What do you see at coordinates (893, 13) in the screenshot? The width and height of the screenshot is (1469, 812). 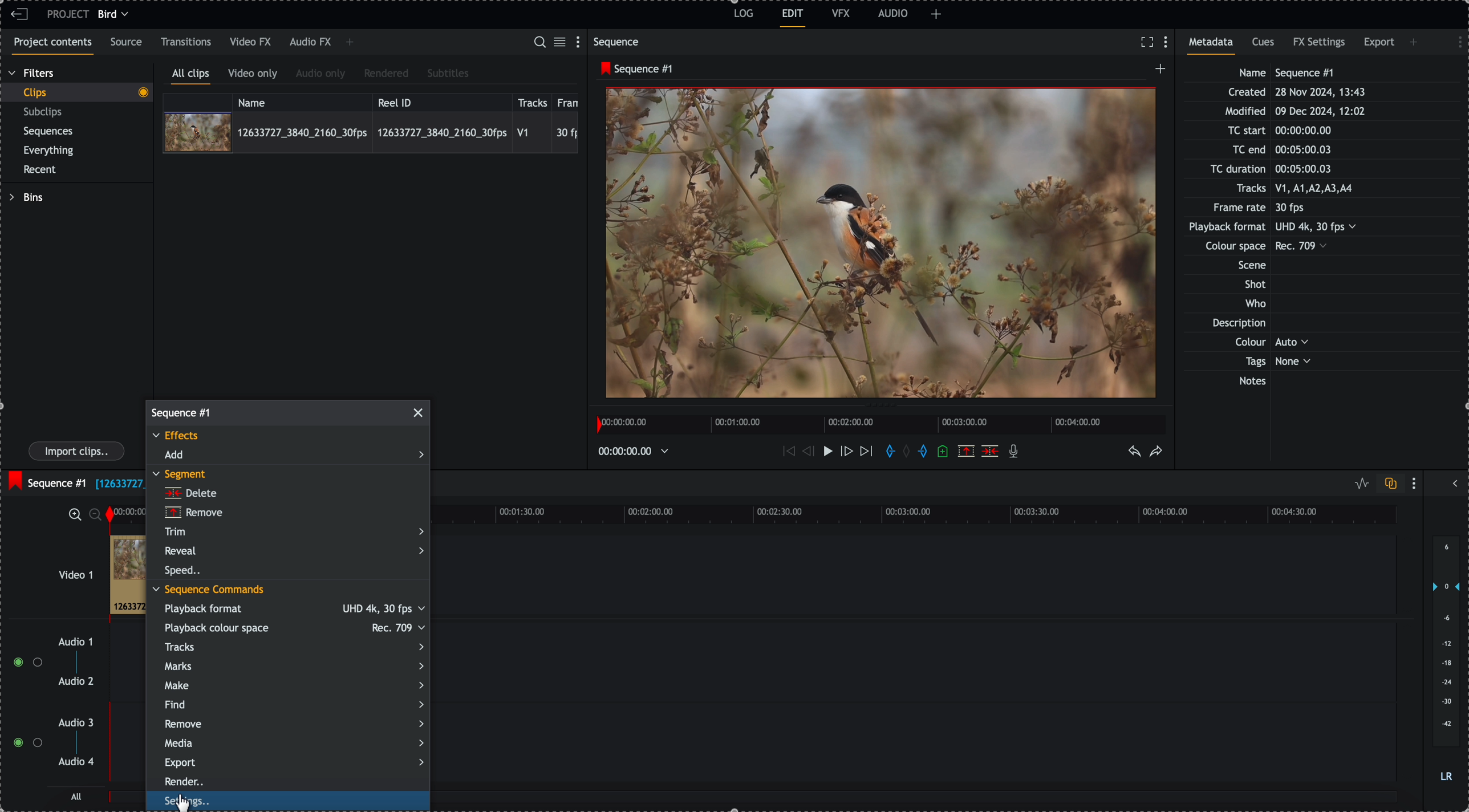 I see `AUDIO` at bounding box center [893, 13].